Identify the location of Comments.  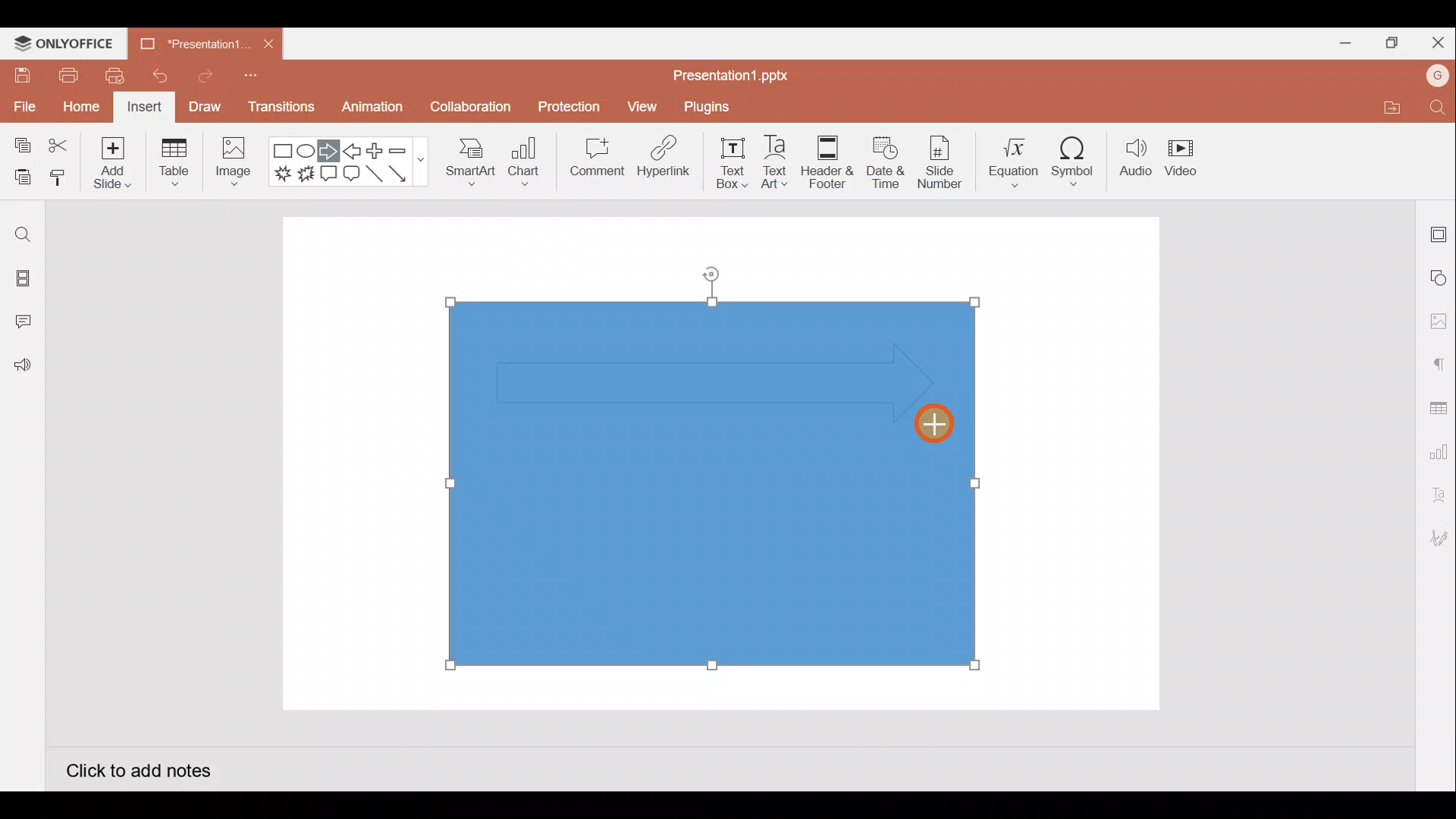
(27, 323).